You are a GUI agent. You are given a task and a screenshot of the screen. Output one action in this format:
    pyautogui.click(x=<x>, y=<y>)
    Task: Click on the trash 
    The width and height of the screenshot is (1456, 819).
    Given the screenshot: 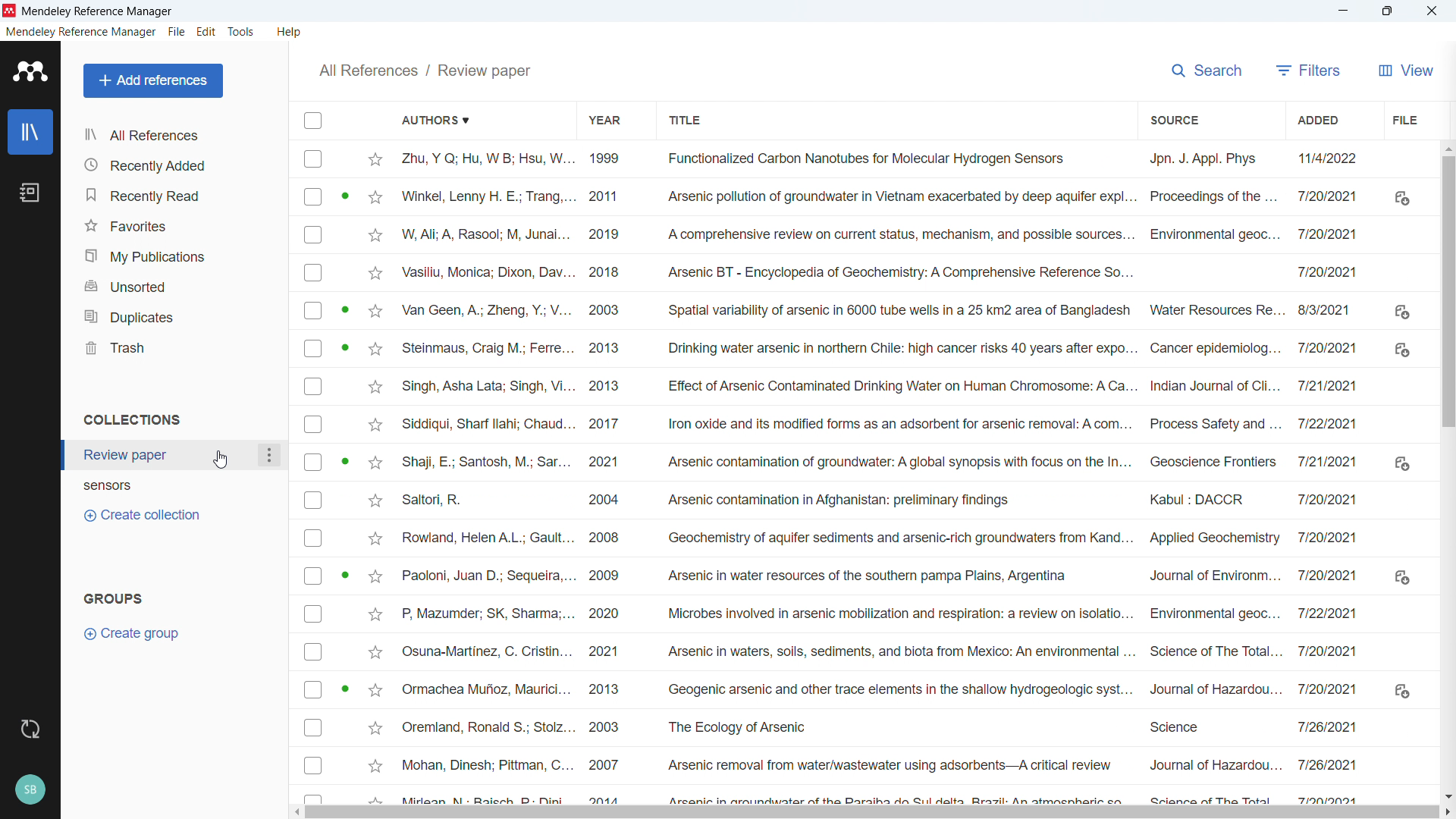 What is the action you would take?
    pyautogui.click(x=177, y=348)
    